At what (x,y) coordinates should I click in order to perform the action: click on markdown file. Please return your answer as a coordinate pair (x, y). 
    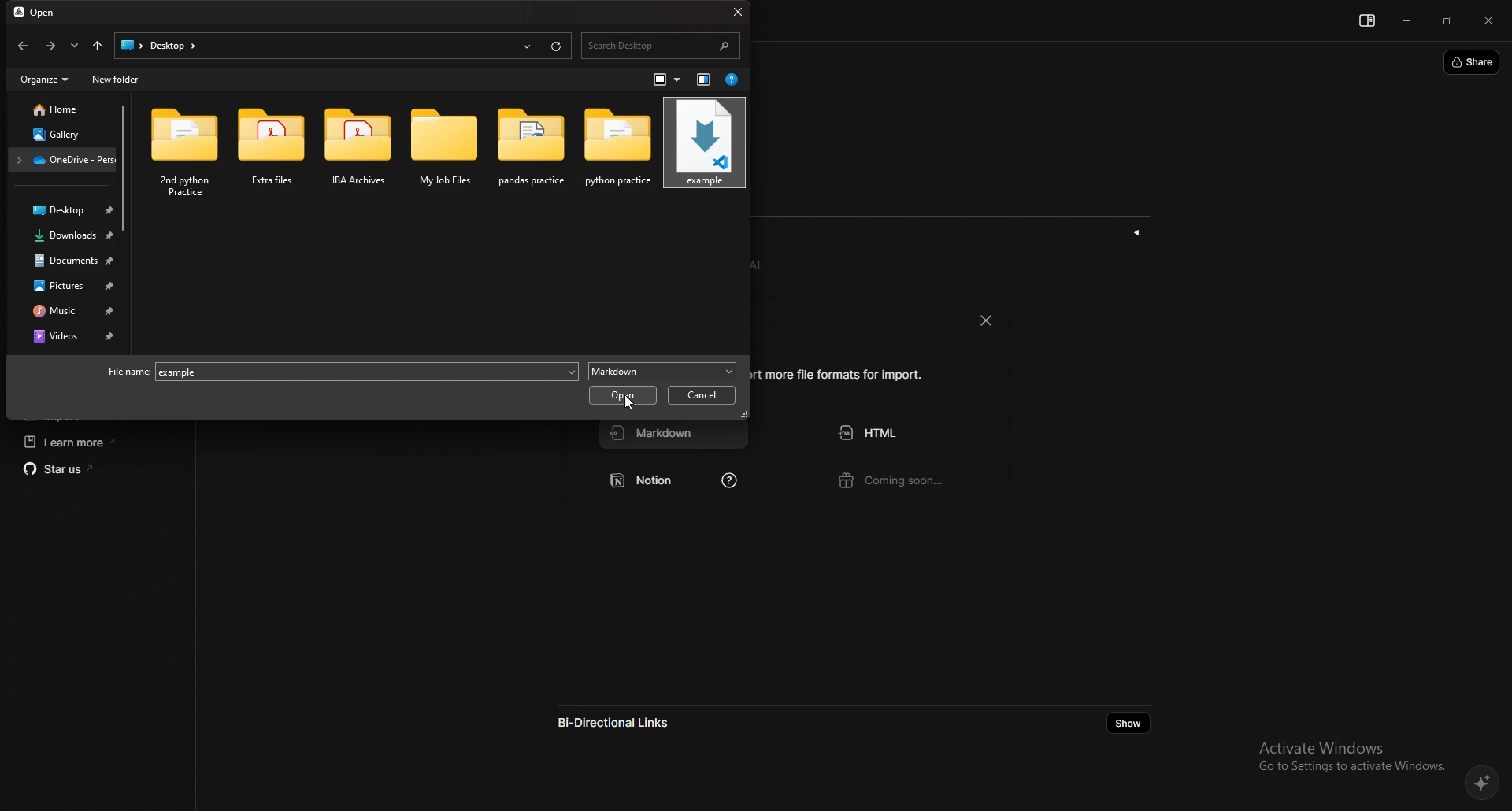
    Looking at the image, I should click on (704, 143).